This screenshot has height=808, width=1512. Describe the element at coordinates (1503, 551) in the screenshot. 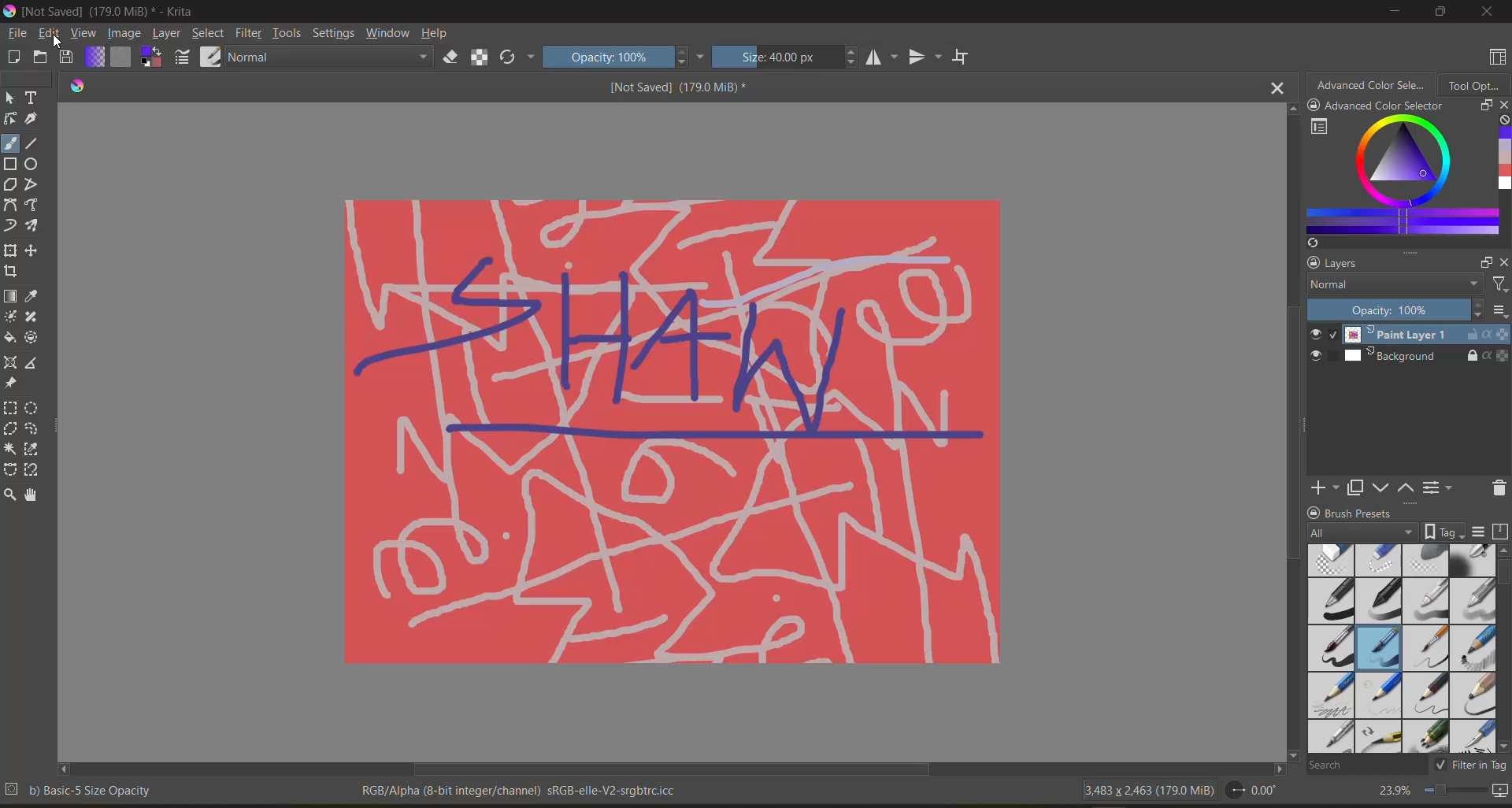

I see `scroll up` at that location.